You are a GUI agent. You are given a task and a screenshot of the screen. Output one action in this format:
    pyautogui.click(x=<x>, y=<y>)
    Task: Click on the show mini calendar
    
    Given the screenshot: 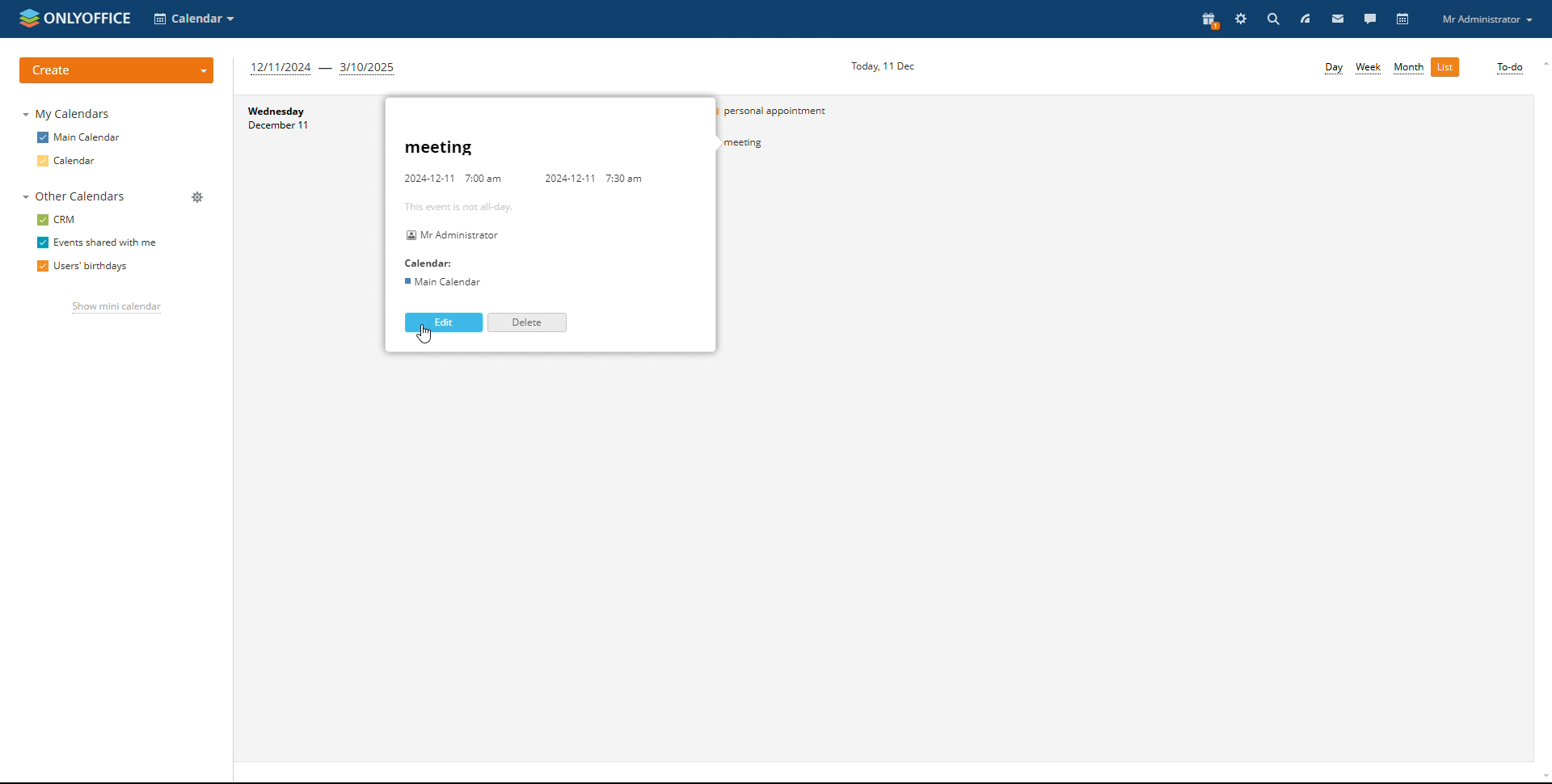 What is the action you would take?
    pyautogui.click(x=116, y=309)
    